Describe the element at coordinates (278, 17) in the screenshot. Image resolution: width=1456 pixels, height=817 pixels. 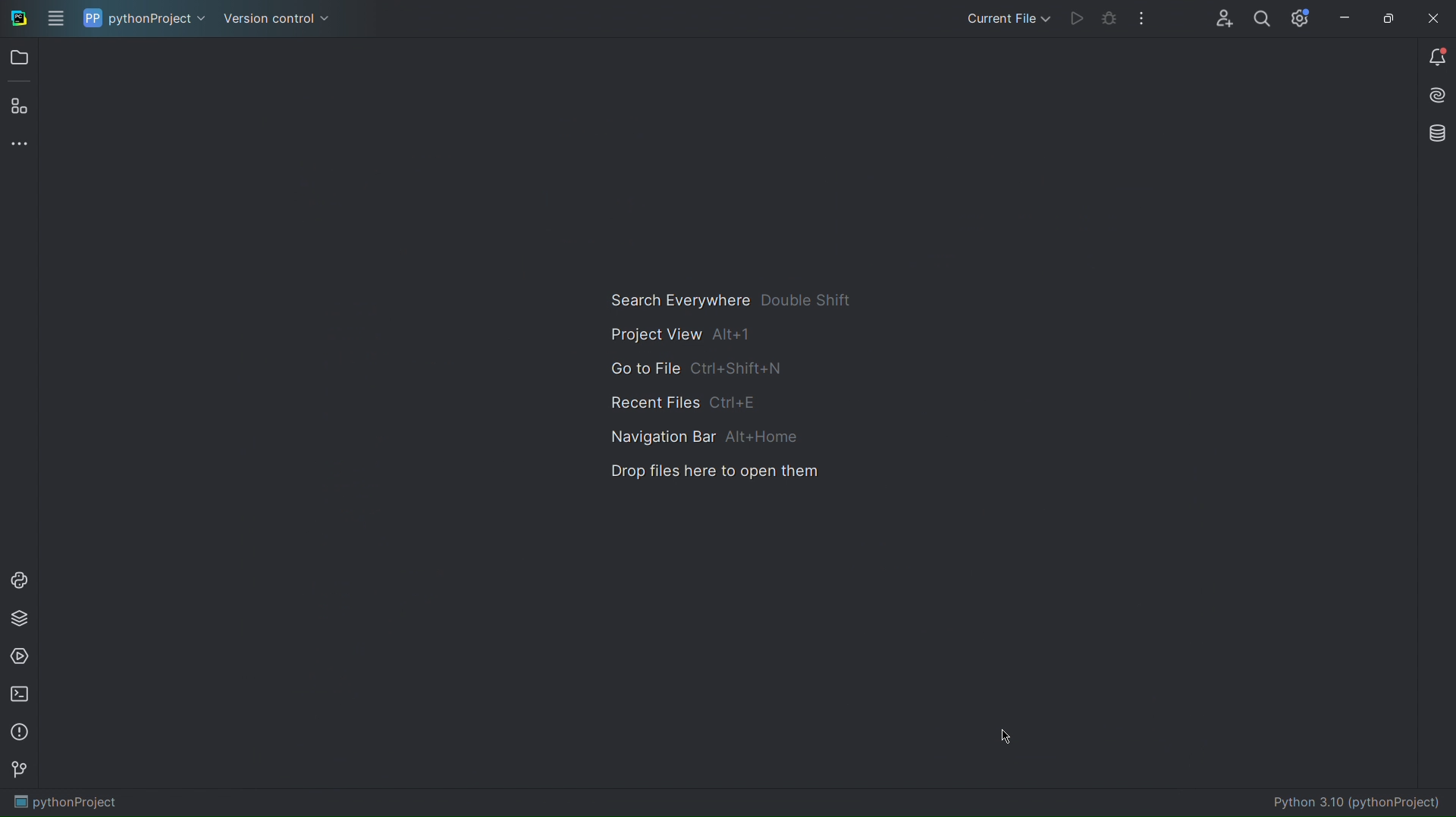
I see `Version control` at that location.